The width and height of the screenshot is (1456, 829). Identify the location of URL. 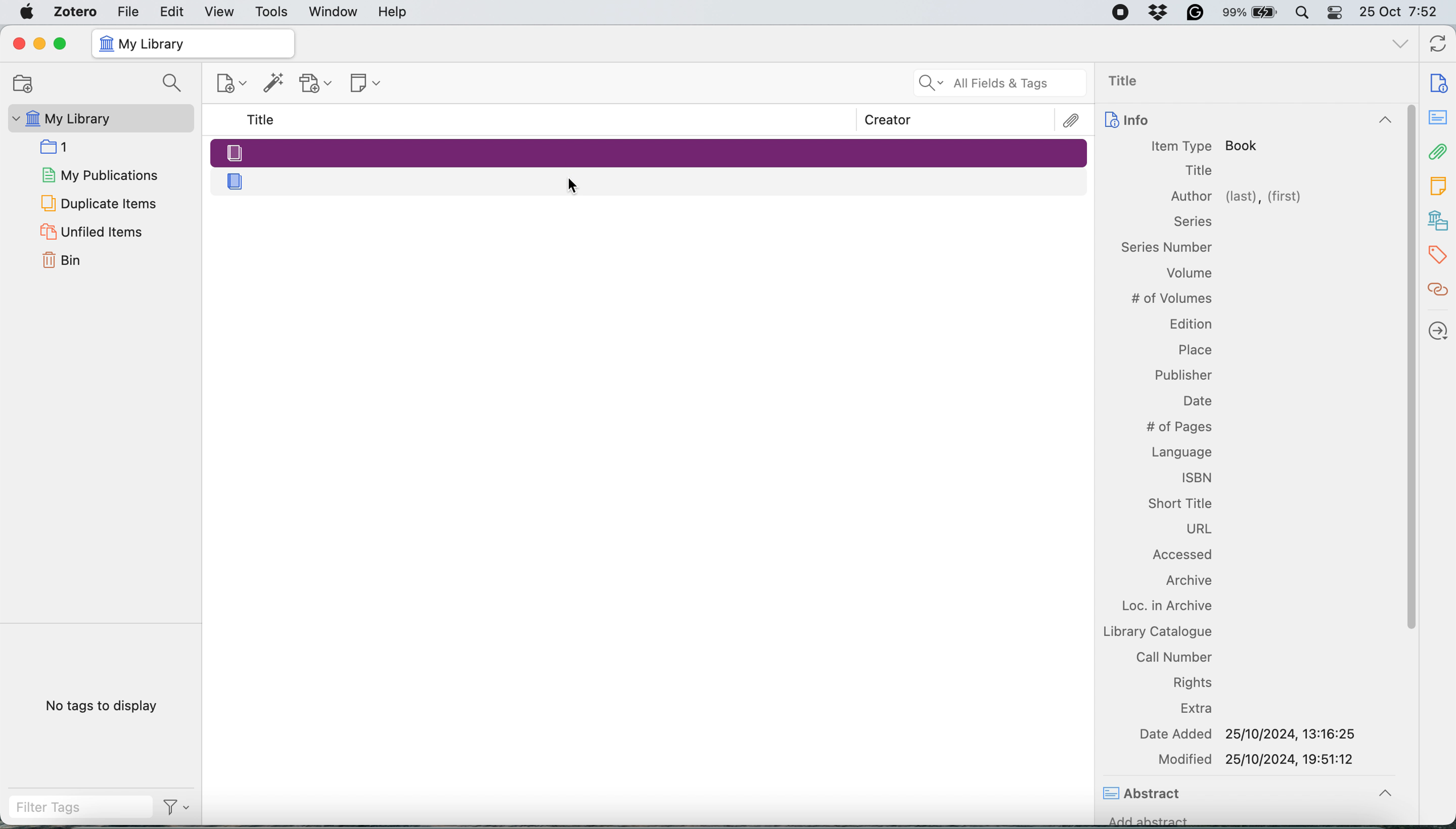
(1199, 530).